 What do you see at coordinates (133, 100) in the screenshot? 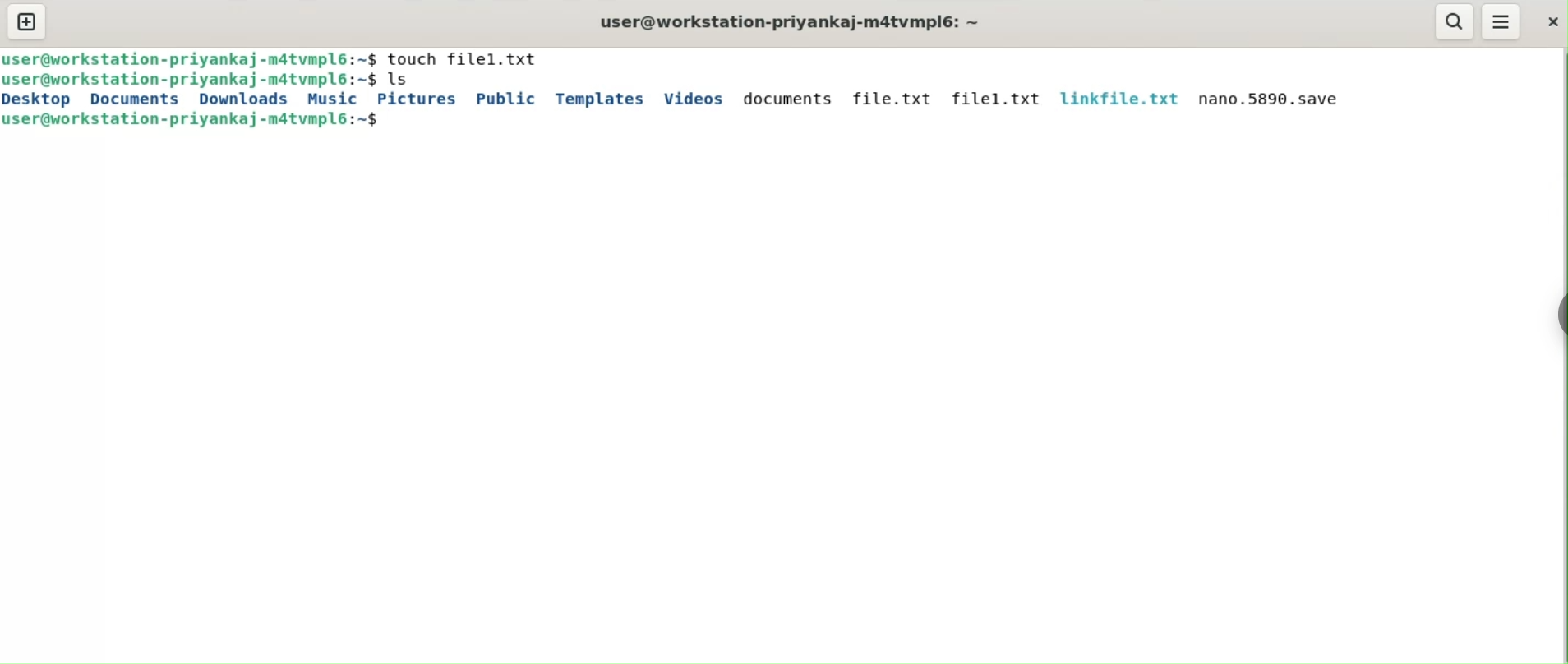
I see `documents` at bounding box center [133, 100].